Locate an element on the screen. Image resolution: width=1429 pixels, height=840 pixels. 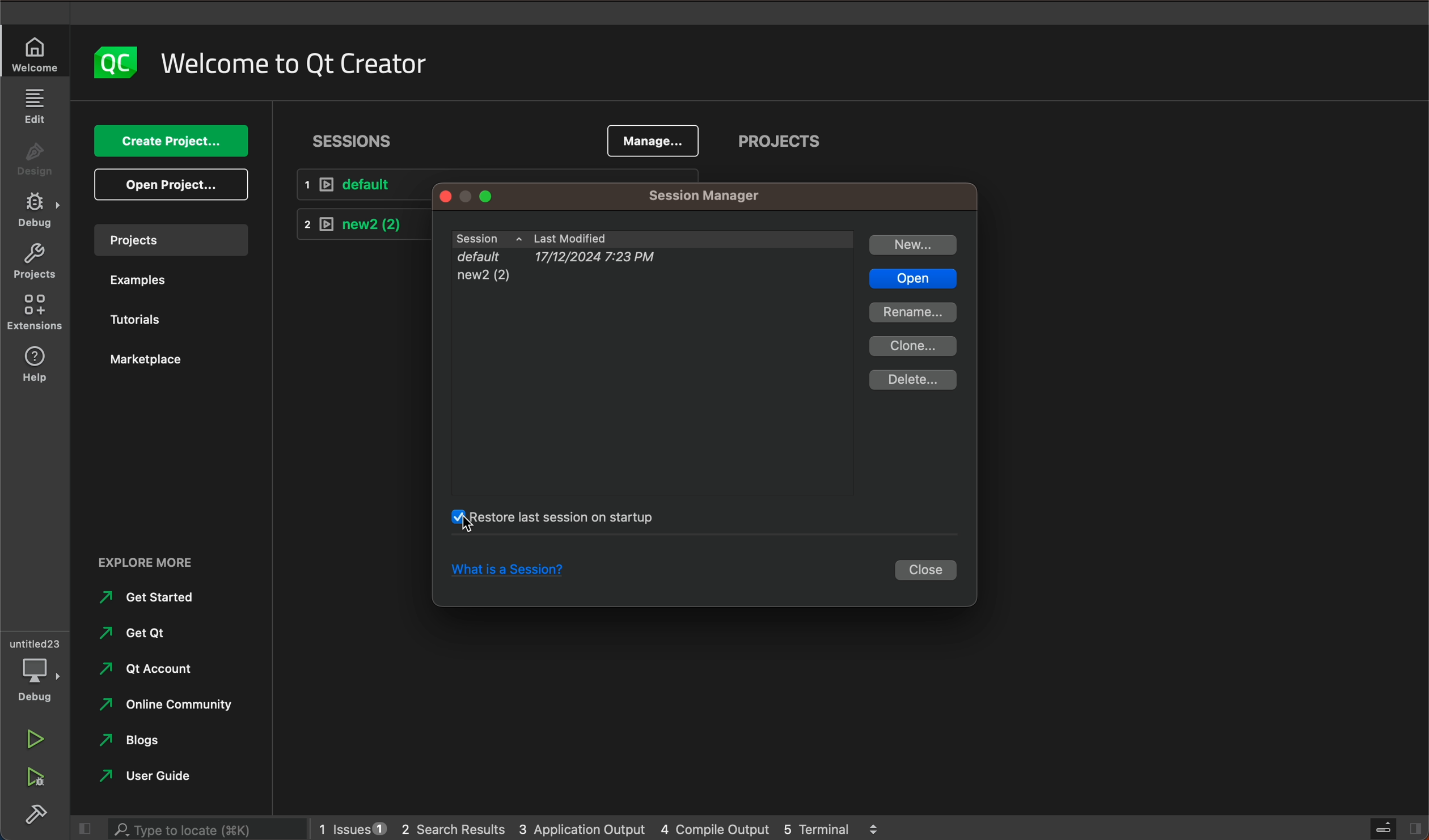
edit is located at coordinates (38, 108).